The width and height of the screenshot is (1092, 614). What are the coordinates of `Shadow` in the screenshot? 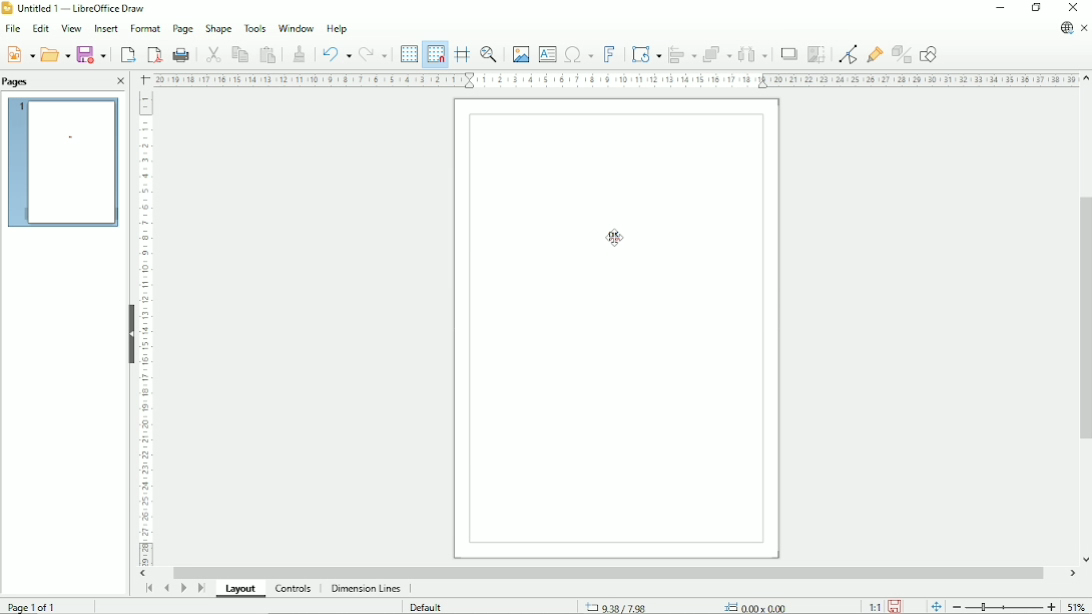 It's located at (789, 54).